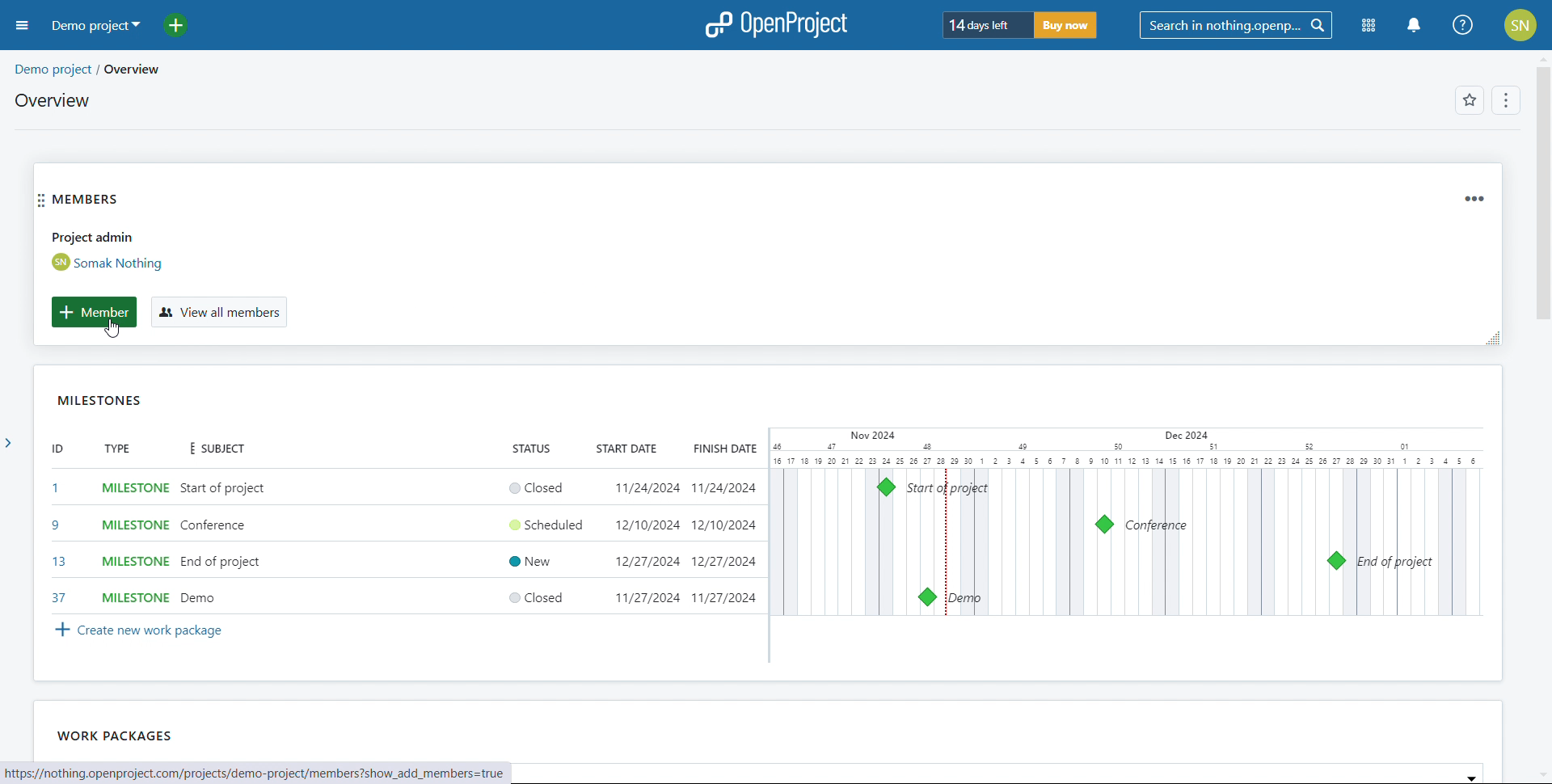  I want to click on Project admin, so click(94, 238).